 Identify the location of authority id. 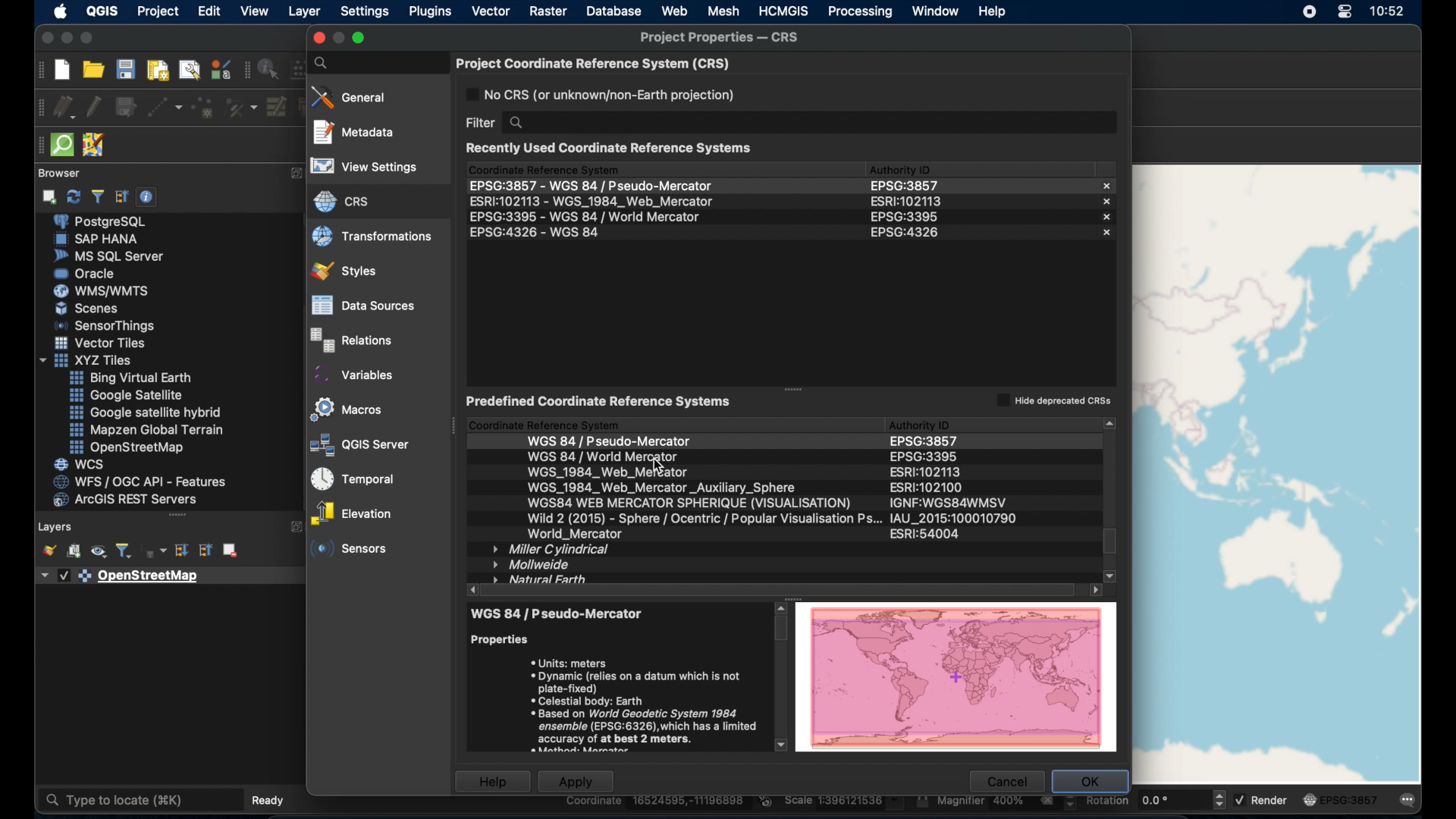
(924, 456).